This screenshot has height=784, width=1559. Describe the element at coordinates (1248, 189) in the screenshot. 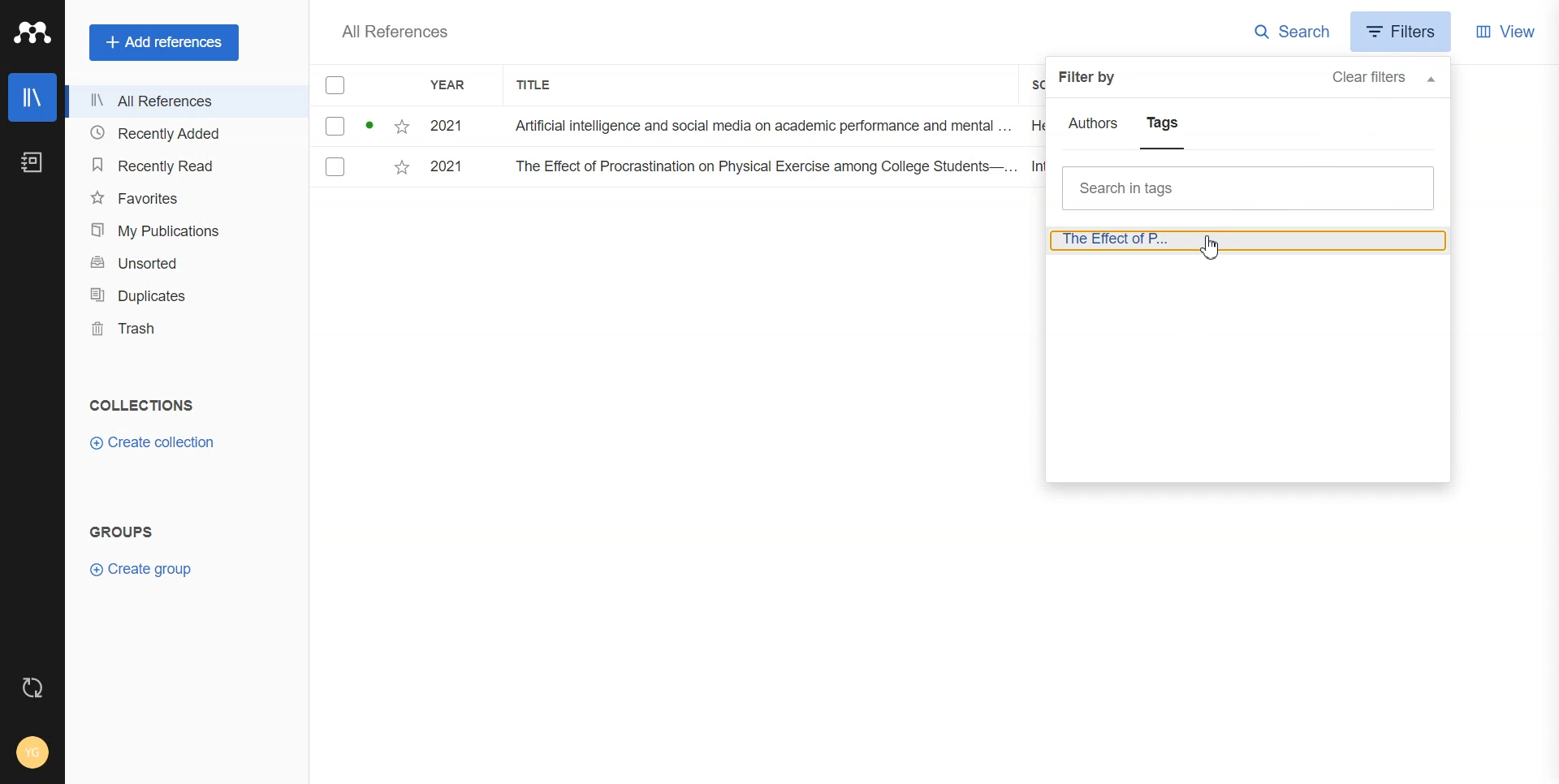

I see `Search bar` at that location.